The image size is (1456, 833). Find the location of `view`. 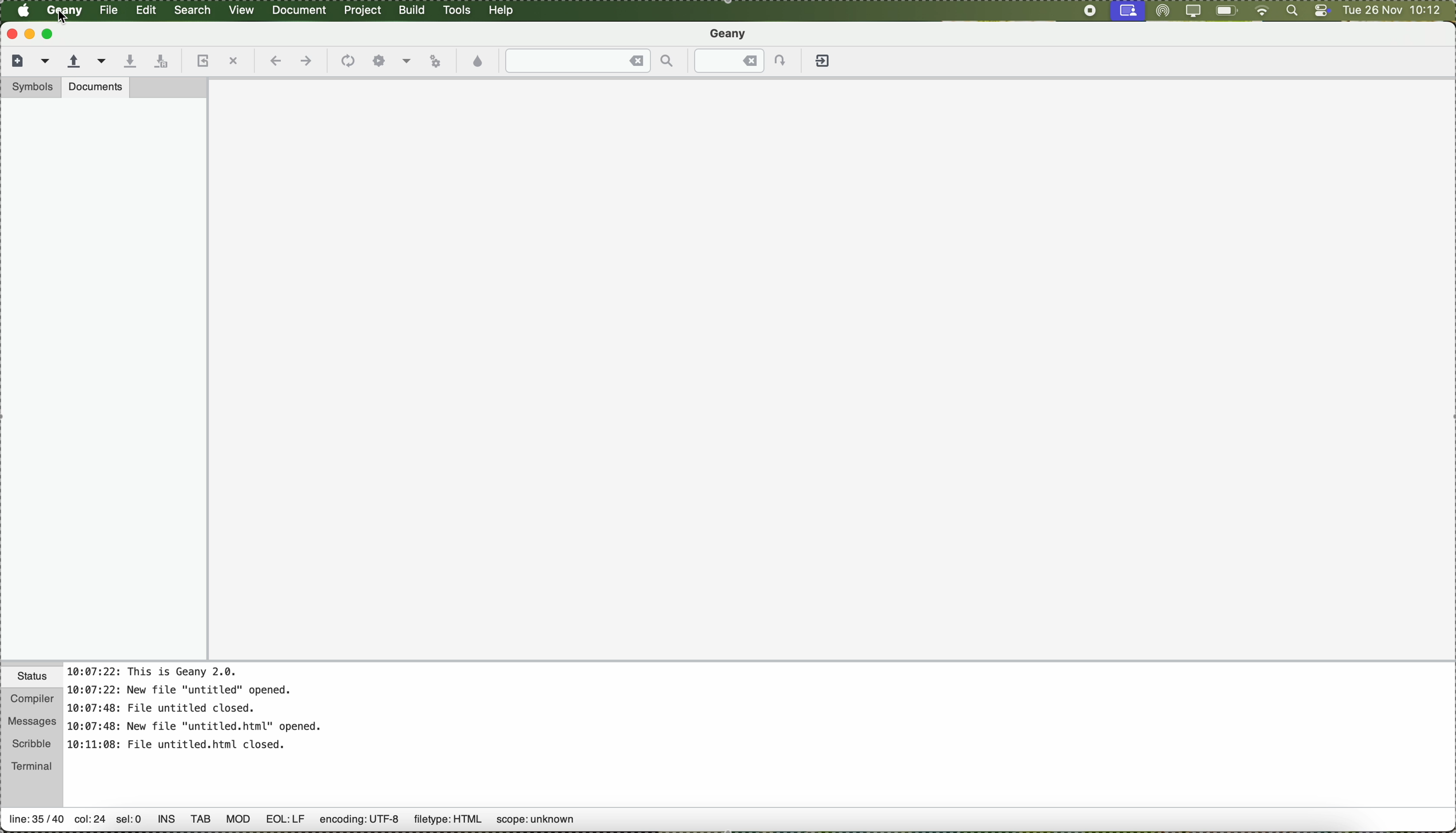

view is located at coordinates (244, 11).